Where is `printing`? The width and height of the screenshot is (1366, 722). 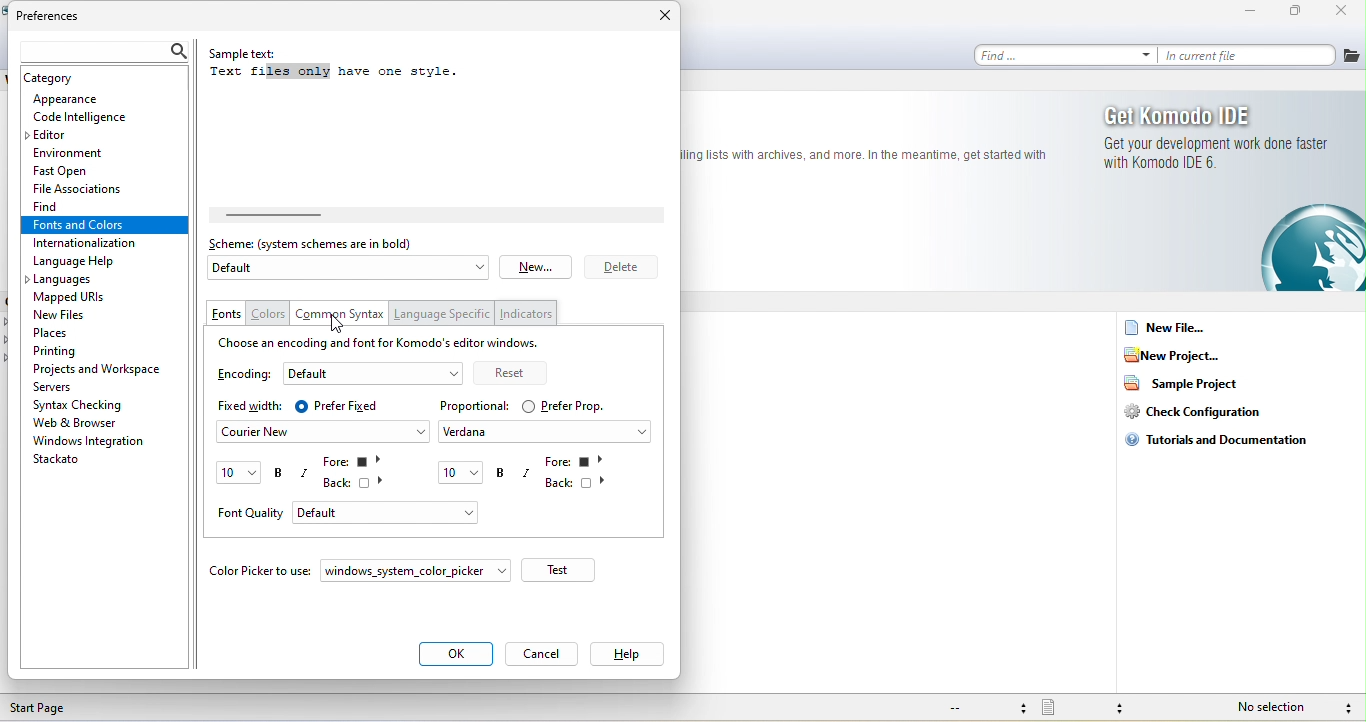 printing is located at coordinates (78, 352).